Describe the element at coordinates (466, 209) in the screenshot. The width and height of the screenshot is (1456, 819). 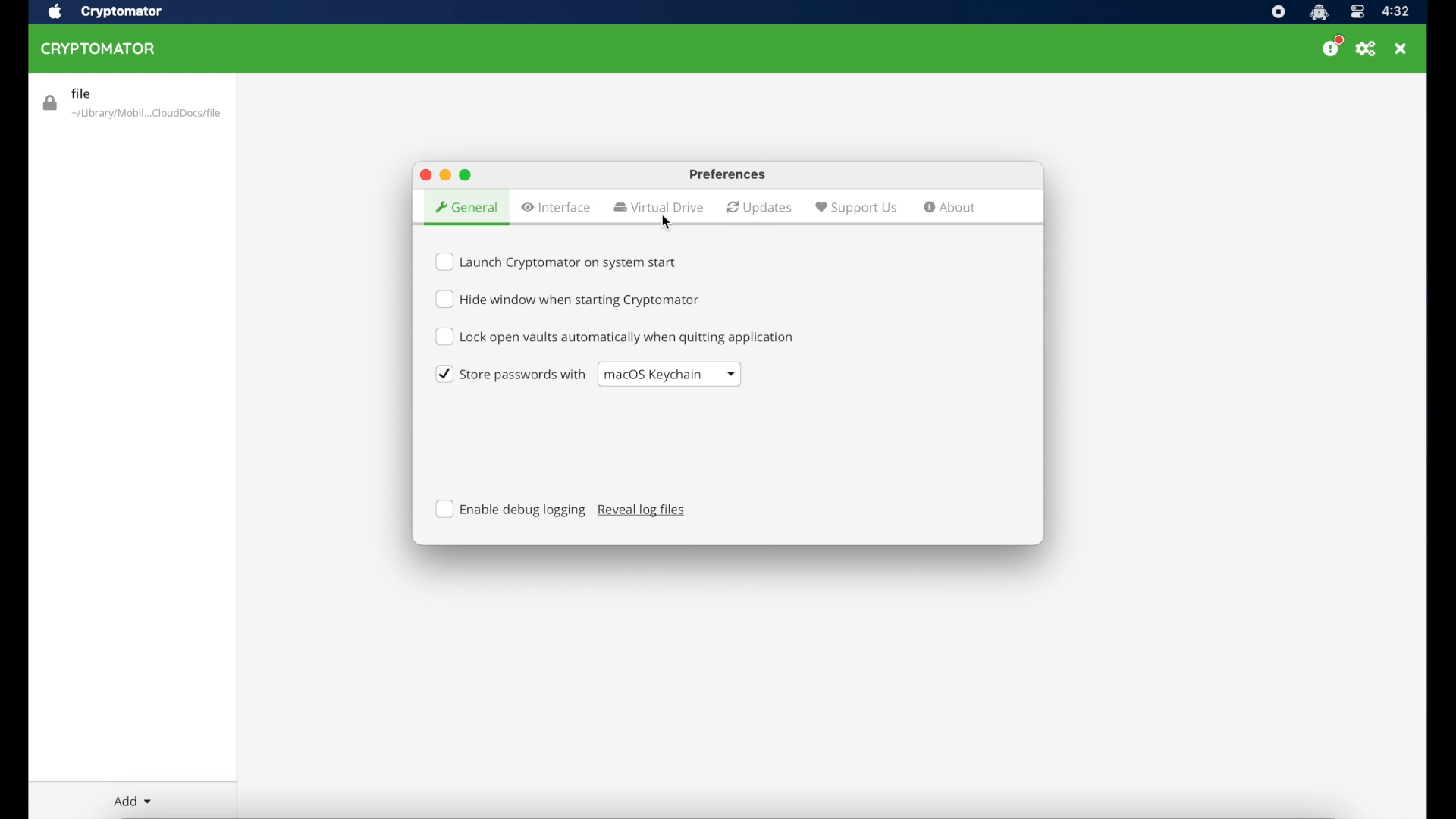
I see `general` at that location.